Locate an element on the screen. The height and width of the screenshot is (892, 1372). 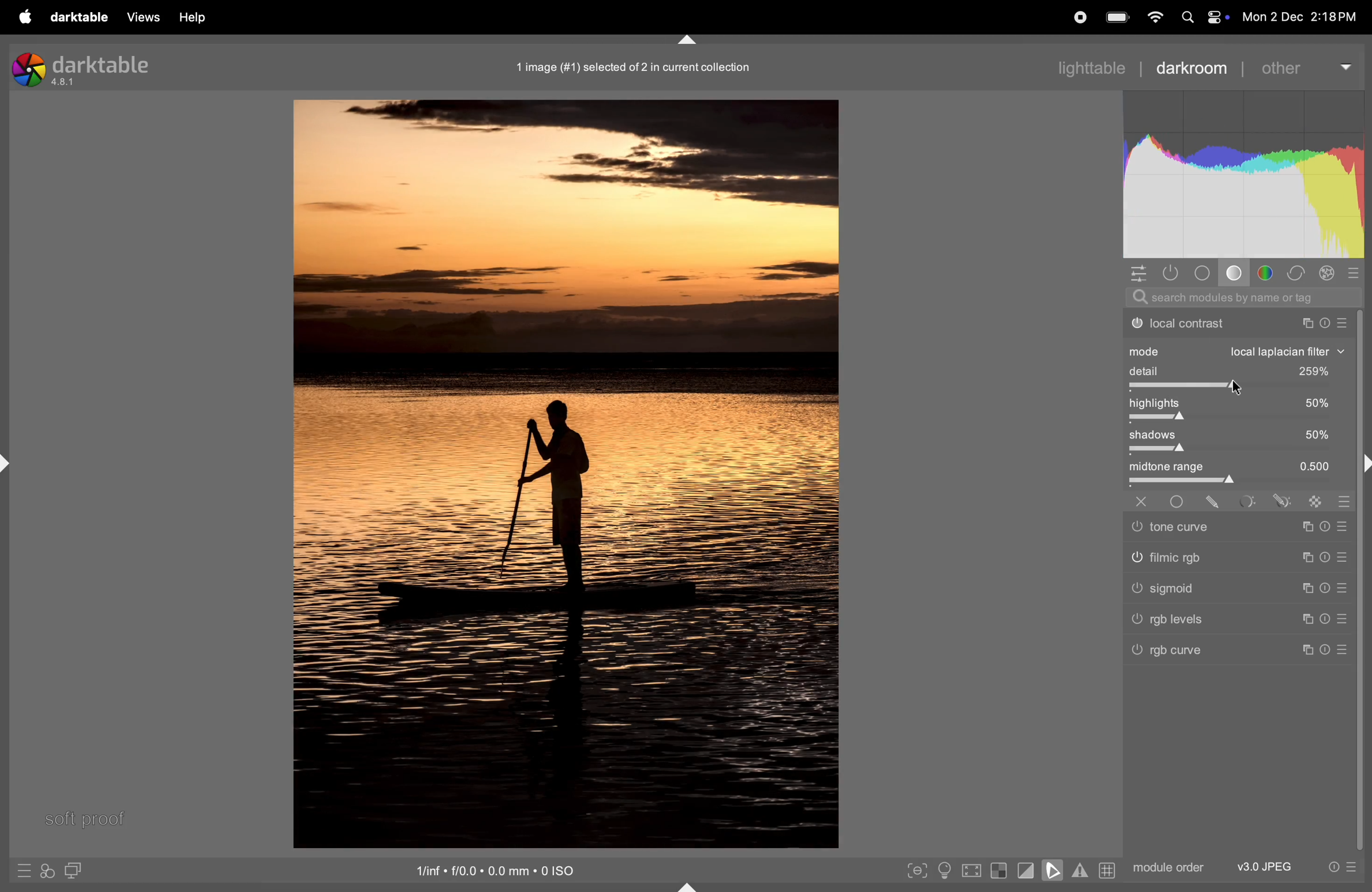
 is located at coordinates (1184, 559).